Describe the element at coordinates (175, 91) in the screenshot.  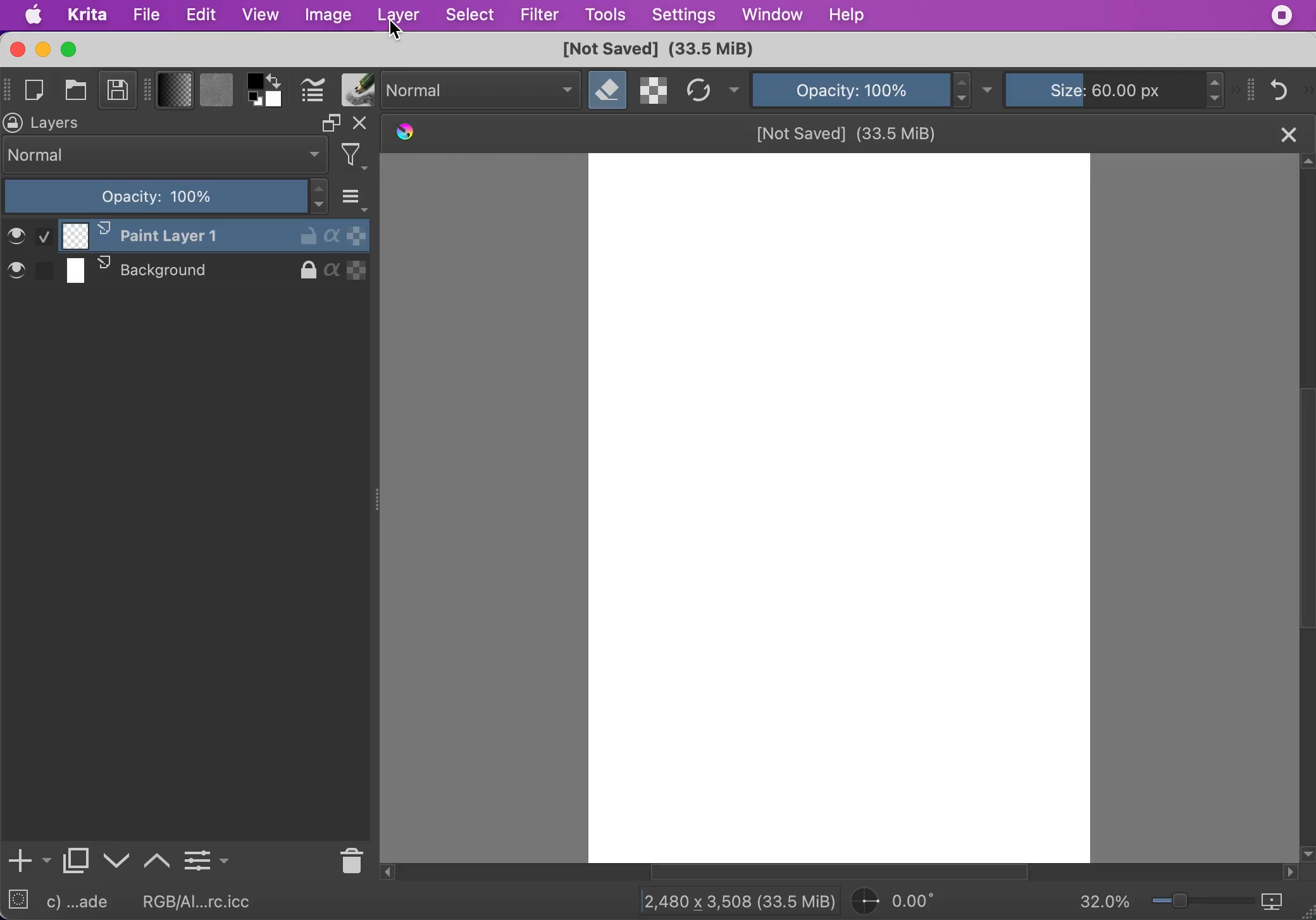
I see `fill gradients` at that location.